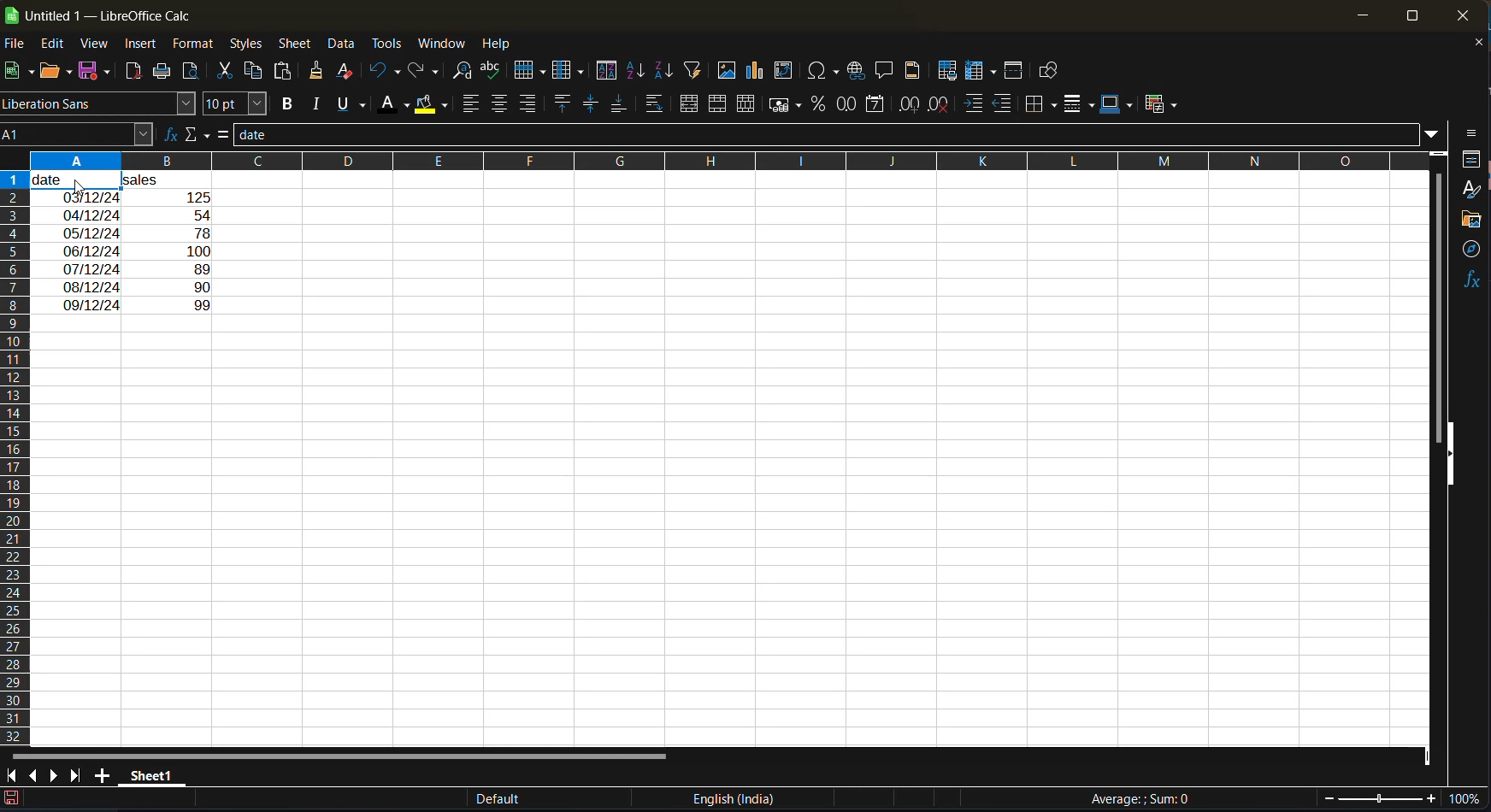 The image size is (1491, 812). Describe the element at coordinates (1448, 453) in the screenshot. I see `hide` at that location.